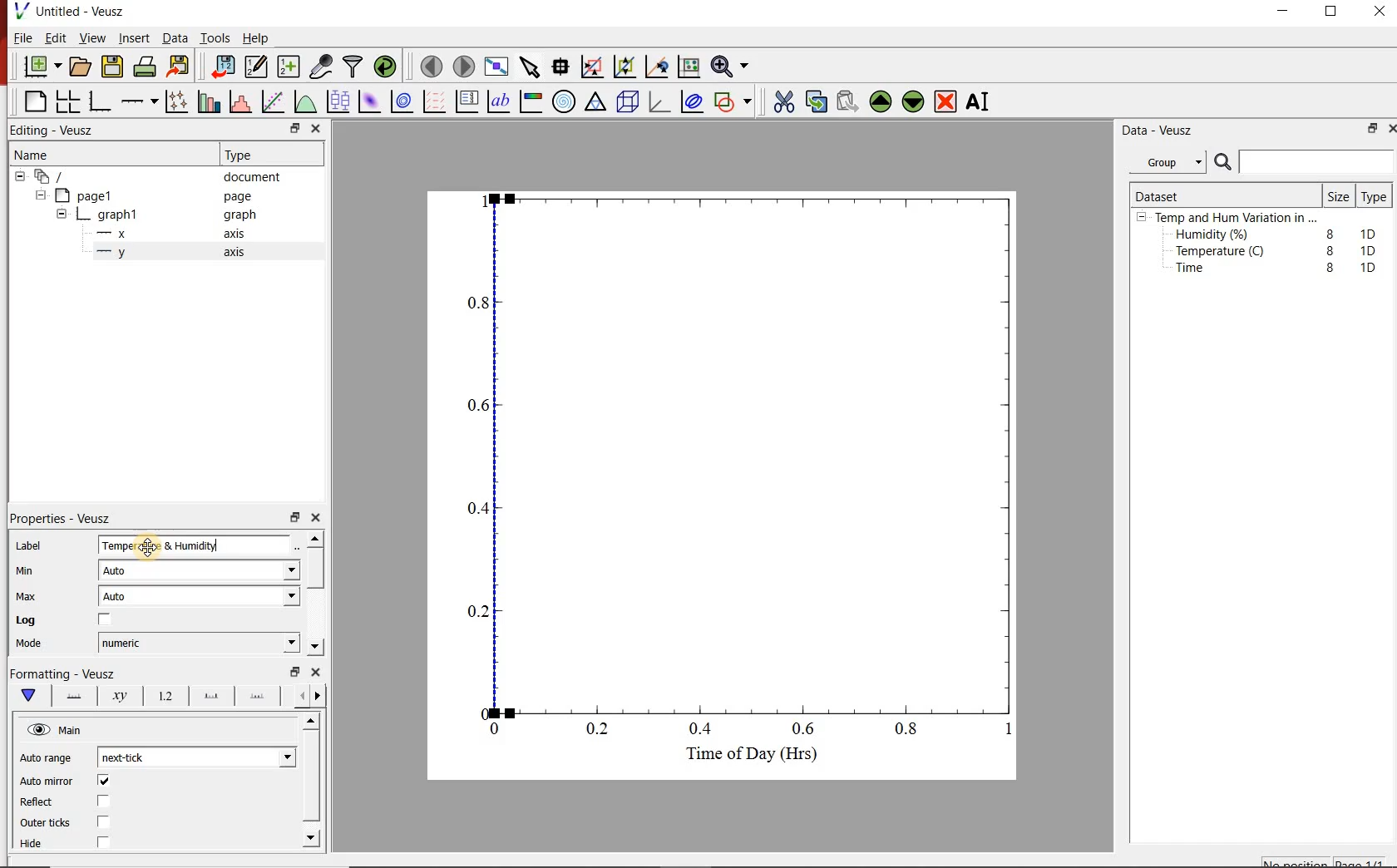  Describe the element at coordinates (1372, 232) in the screenshot. I see `1D` at that location.